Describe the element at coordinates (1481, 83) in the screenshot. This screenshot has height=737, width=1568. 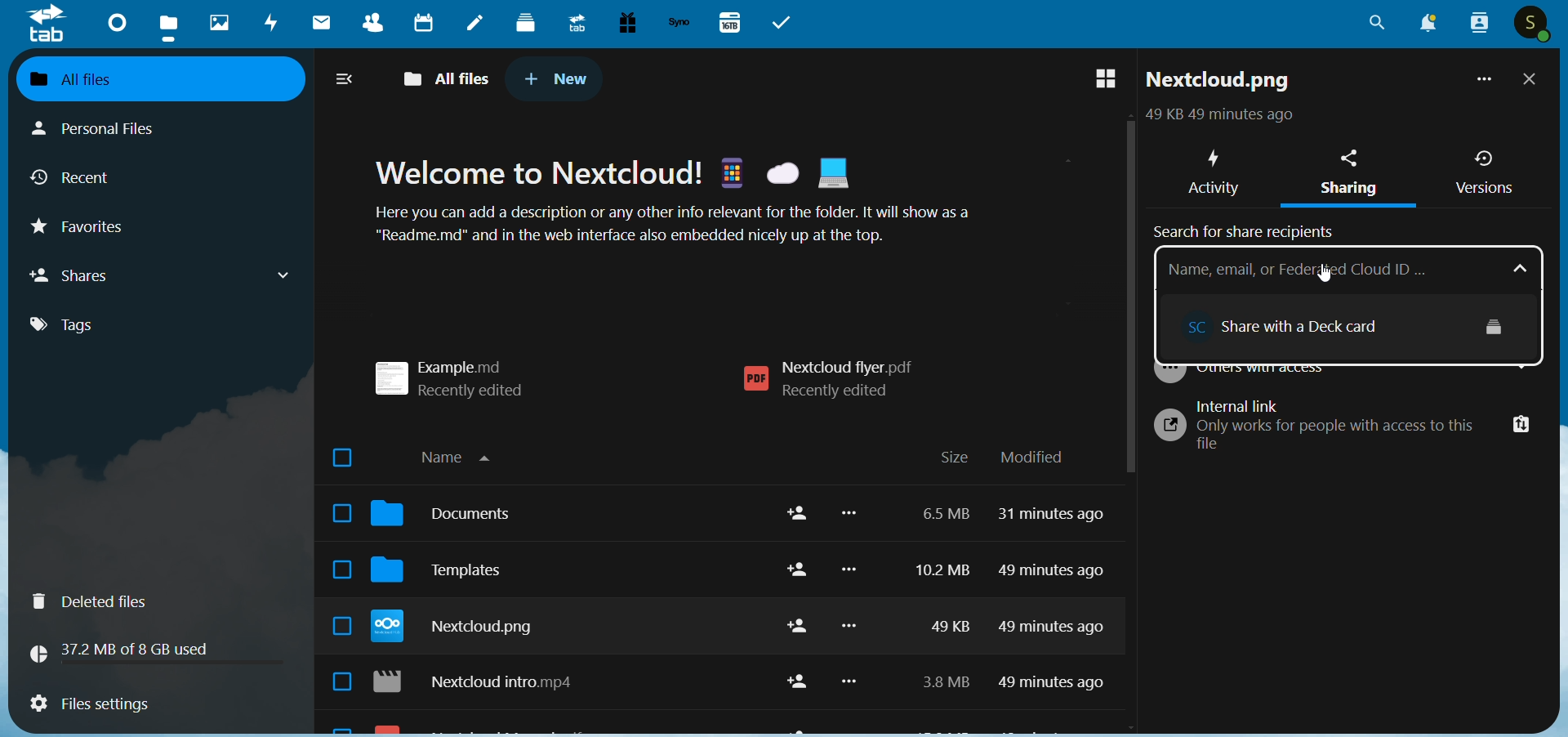
I see `more` at that location.